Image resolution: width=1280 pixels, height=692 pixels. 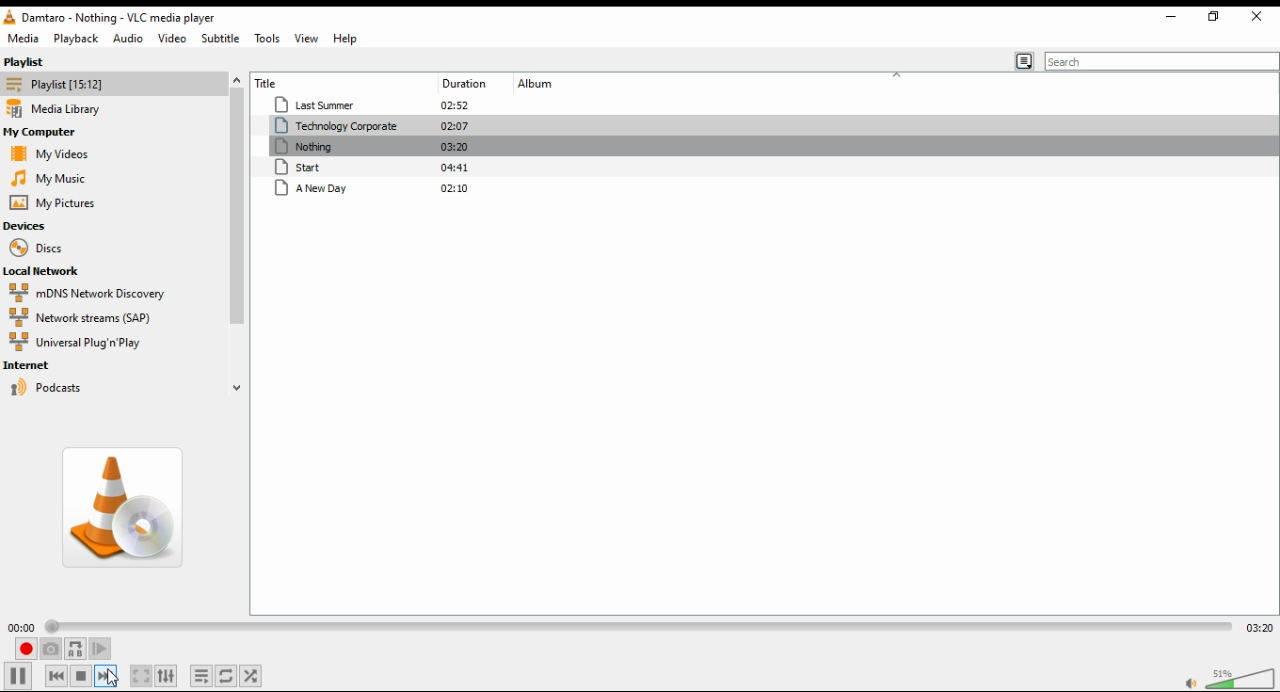 I want to click on show extended settings, so click(x=168, y=676).